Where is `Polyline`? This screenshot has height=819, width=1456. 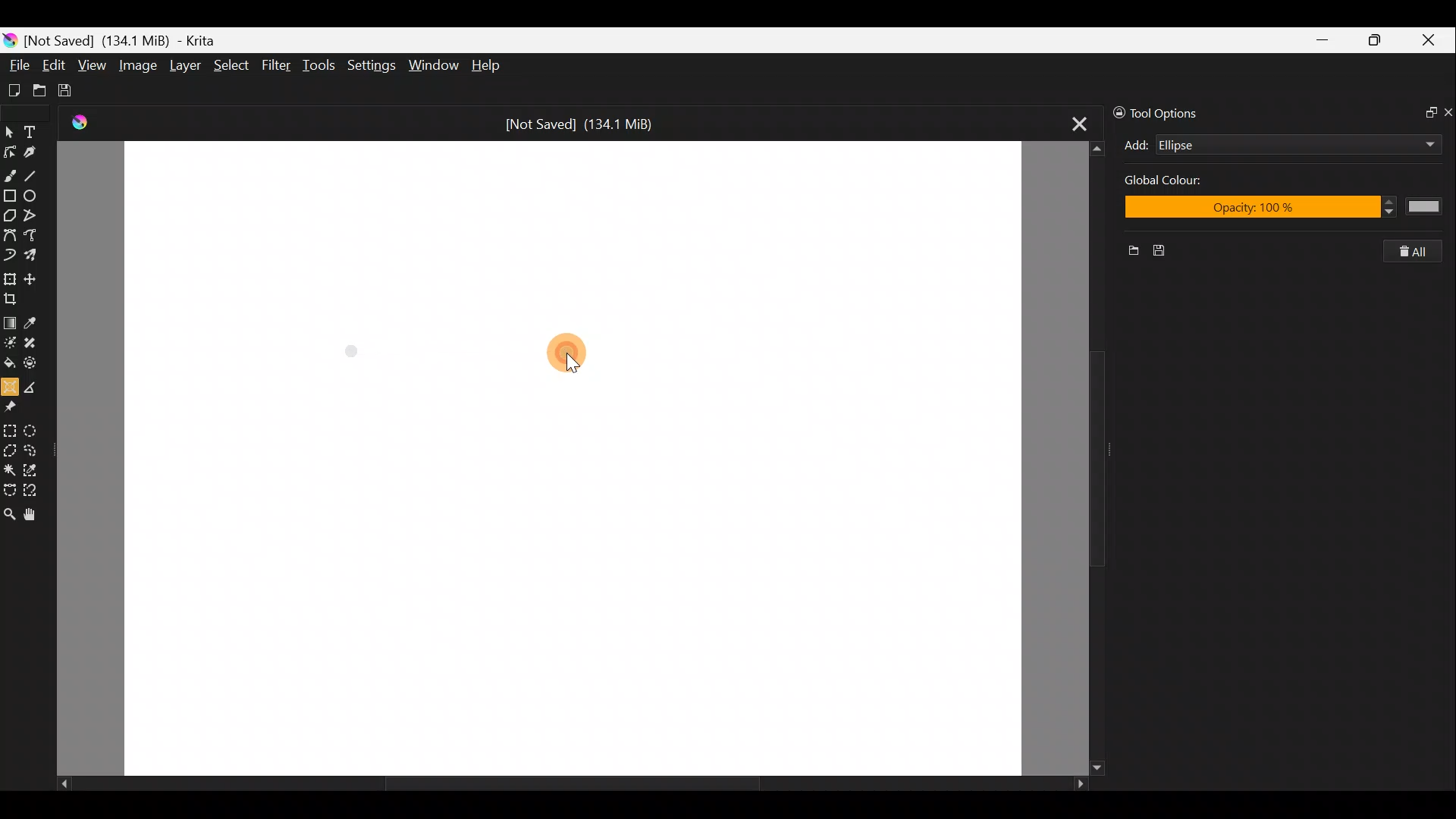 Polyline is located at coordinates (35, 216).